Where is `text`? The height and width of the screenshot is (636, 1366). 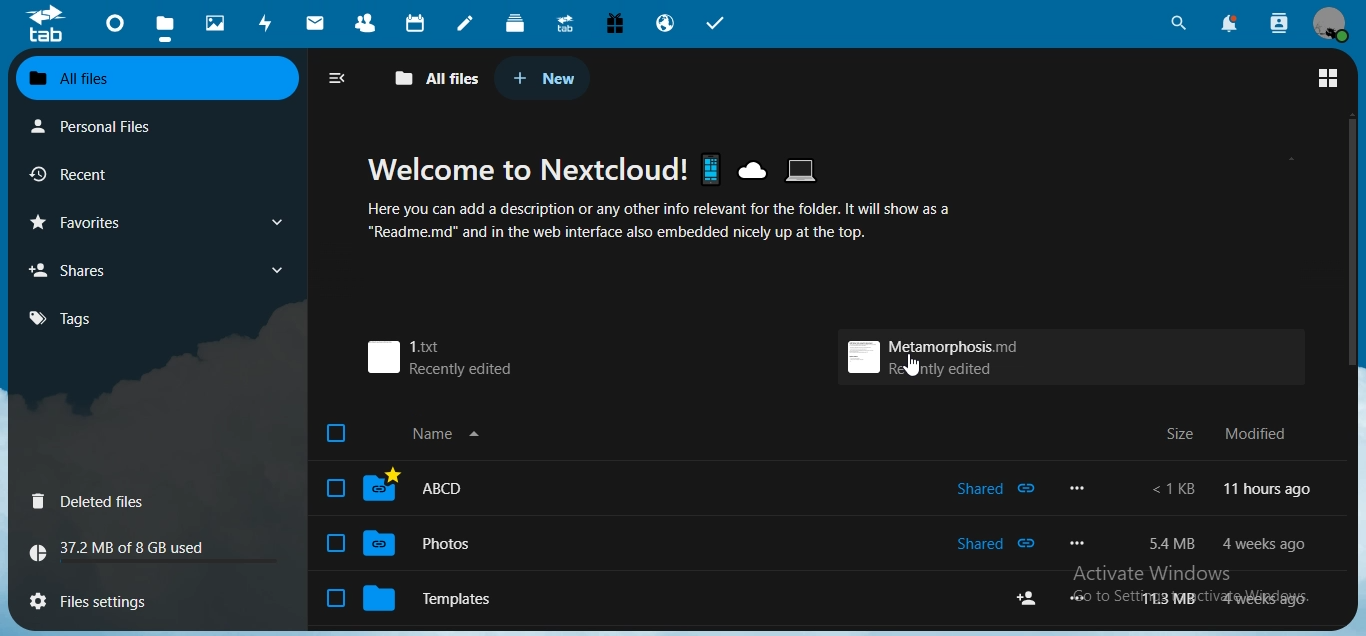
text is located at coordinates (1229, 544).